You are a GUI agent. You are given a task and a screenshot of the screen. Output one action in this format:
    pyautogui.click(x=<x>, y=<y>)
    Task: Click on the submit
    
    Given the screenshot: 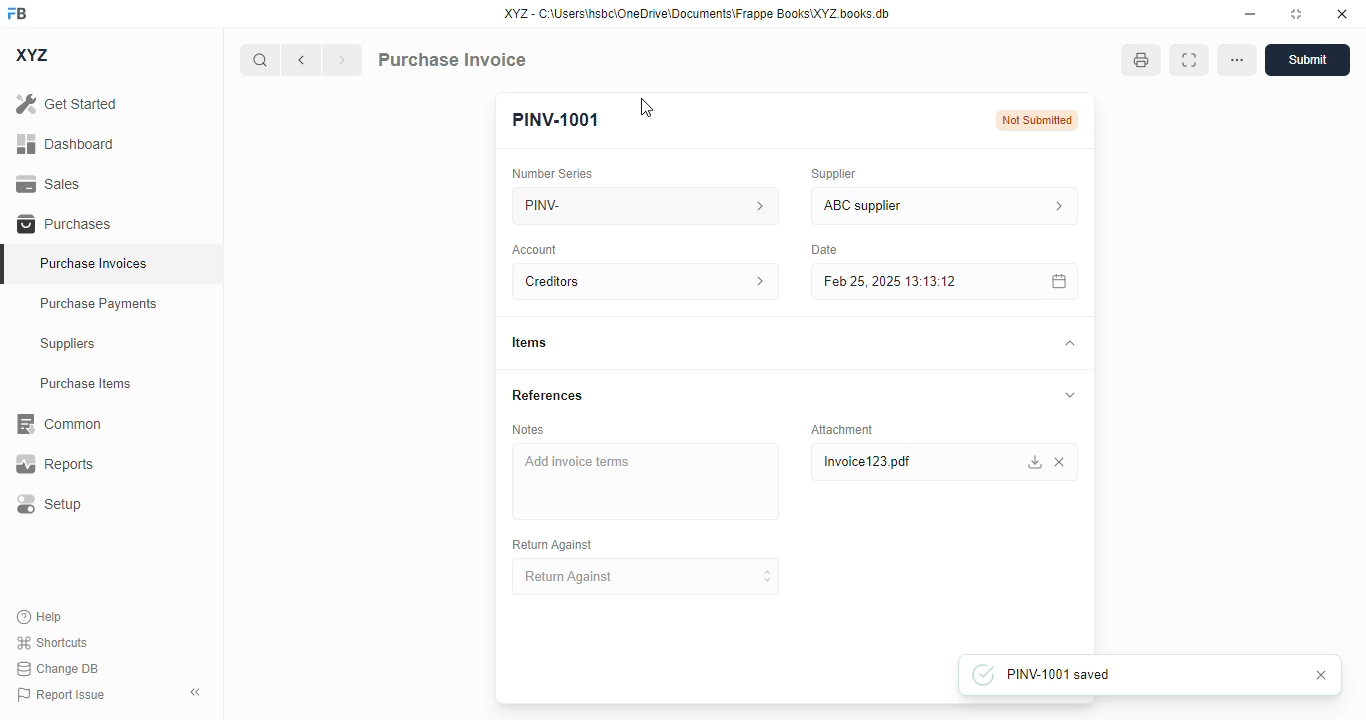 What is the action you would take?
    pyautogui.click(x=1307, y=60)
    